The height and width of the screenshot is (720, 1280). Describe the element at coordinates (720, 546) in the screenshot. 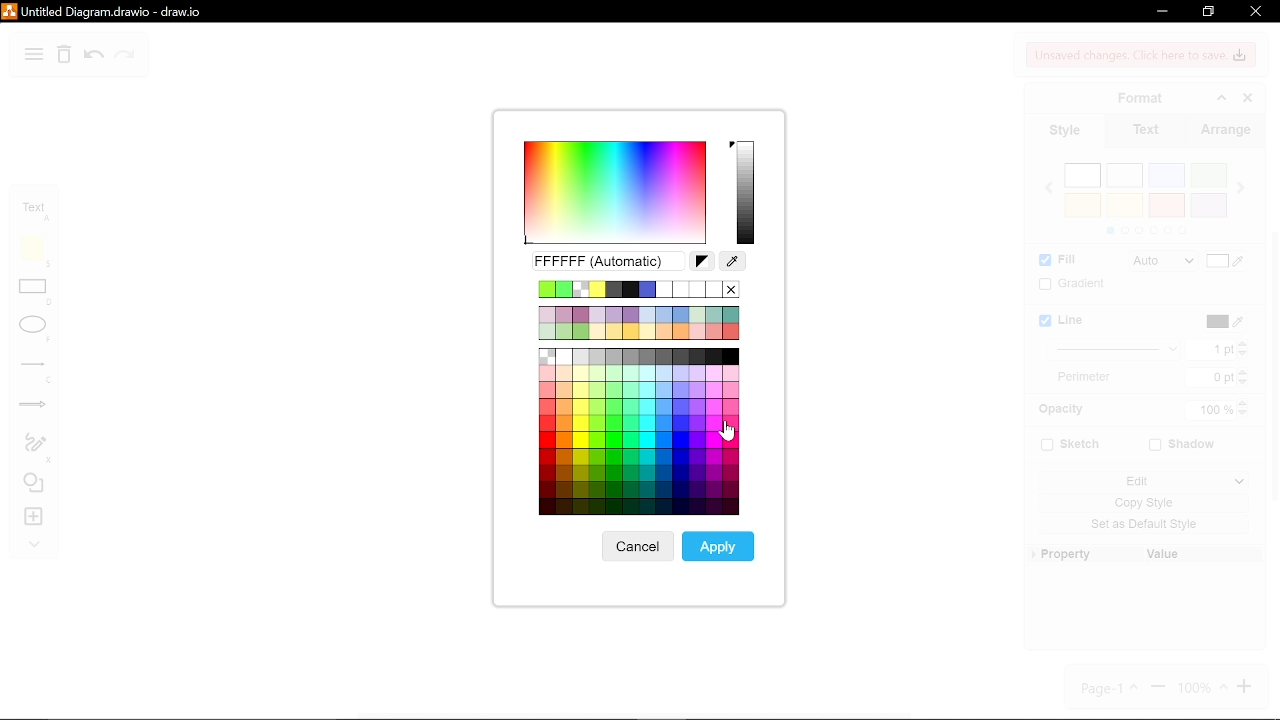

I see `apply` at that location.